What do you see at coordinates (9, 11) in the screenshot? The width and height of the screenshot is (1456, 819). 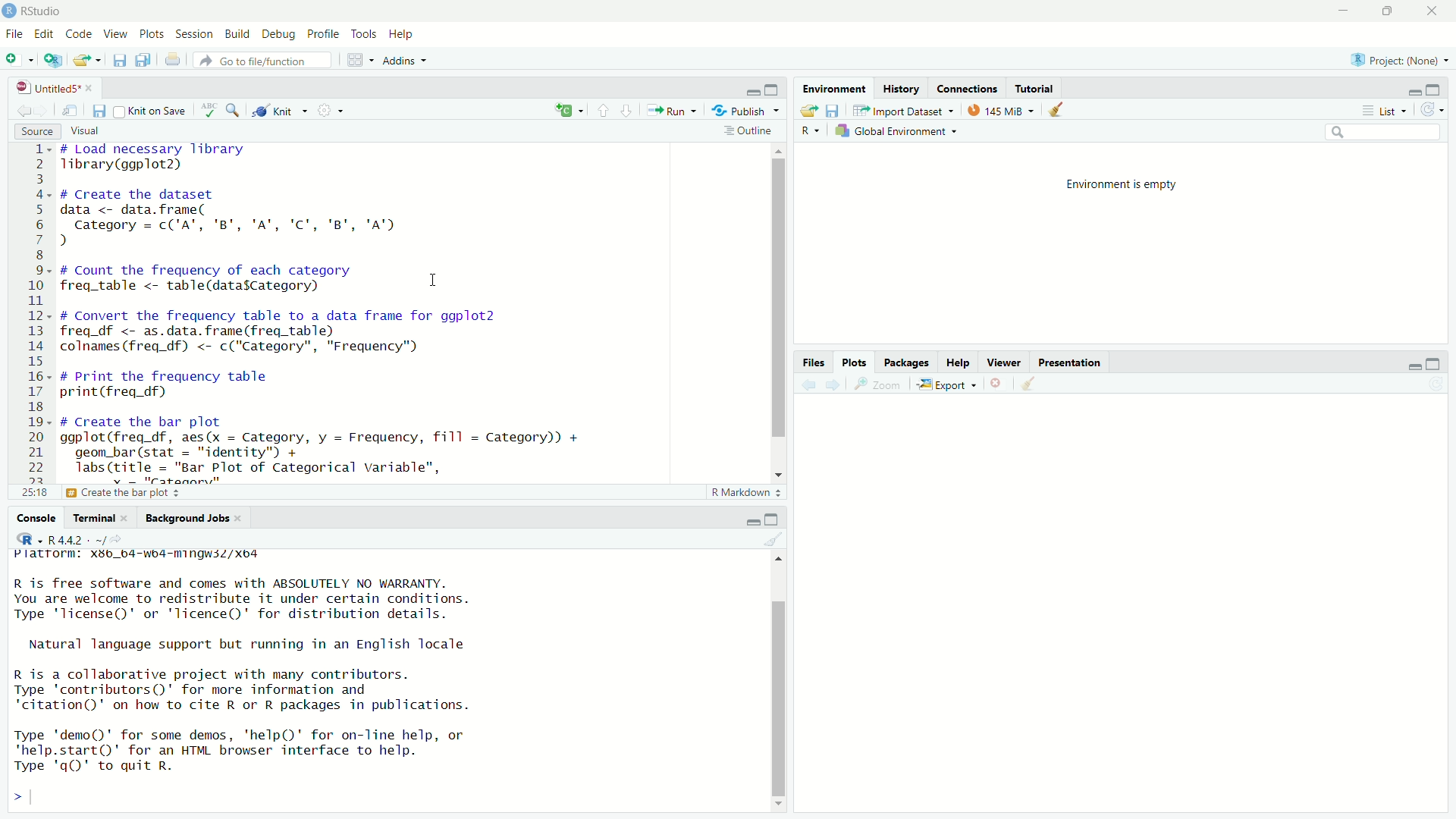 I see `app icon` at bounding box center [9, 11].